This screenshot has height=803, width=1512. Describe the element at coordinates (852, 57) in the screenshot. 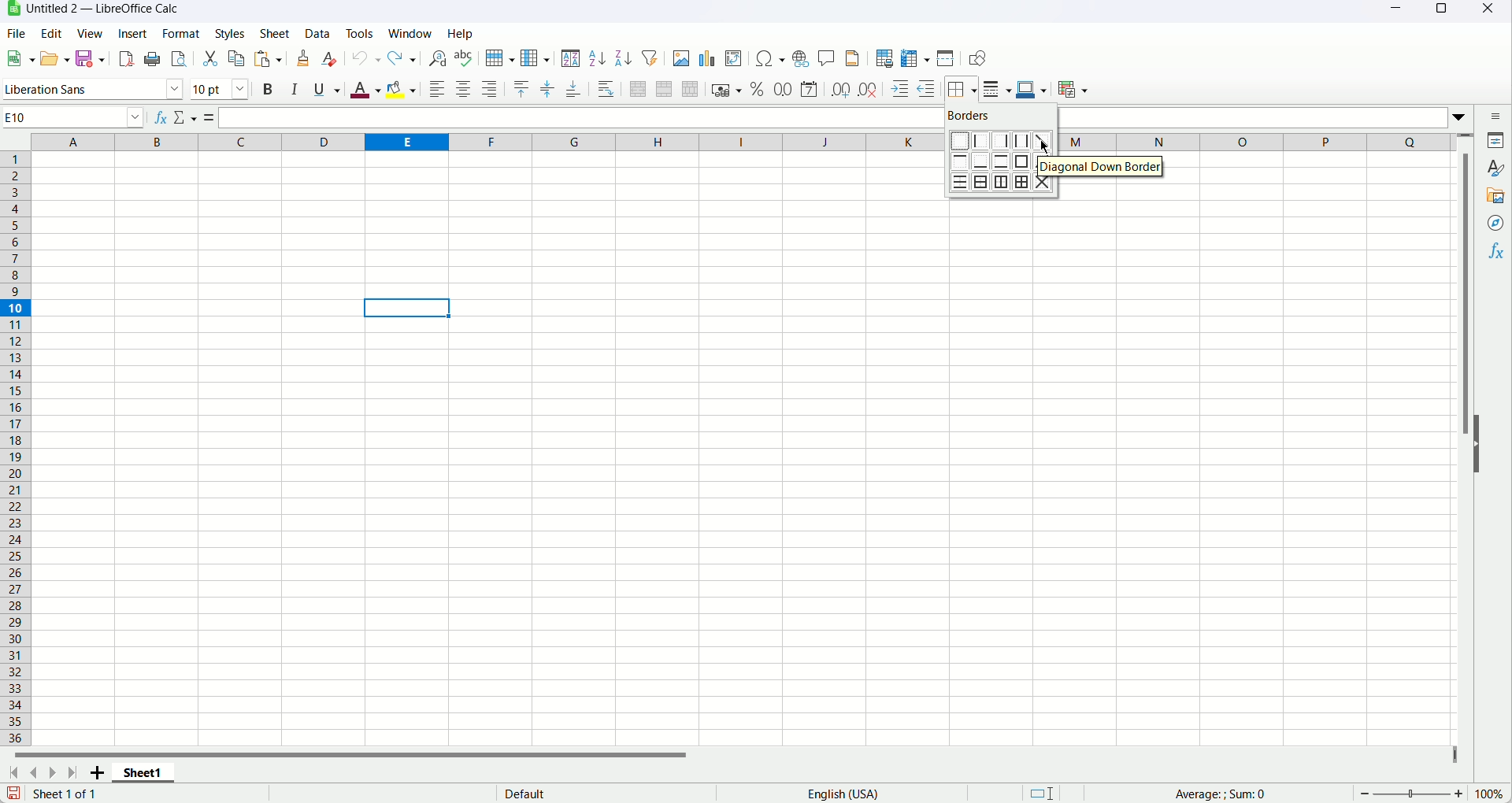

I see `Headers and footers` at that location.